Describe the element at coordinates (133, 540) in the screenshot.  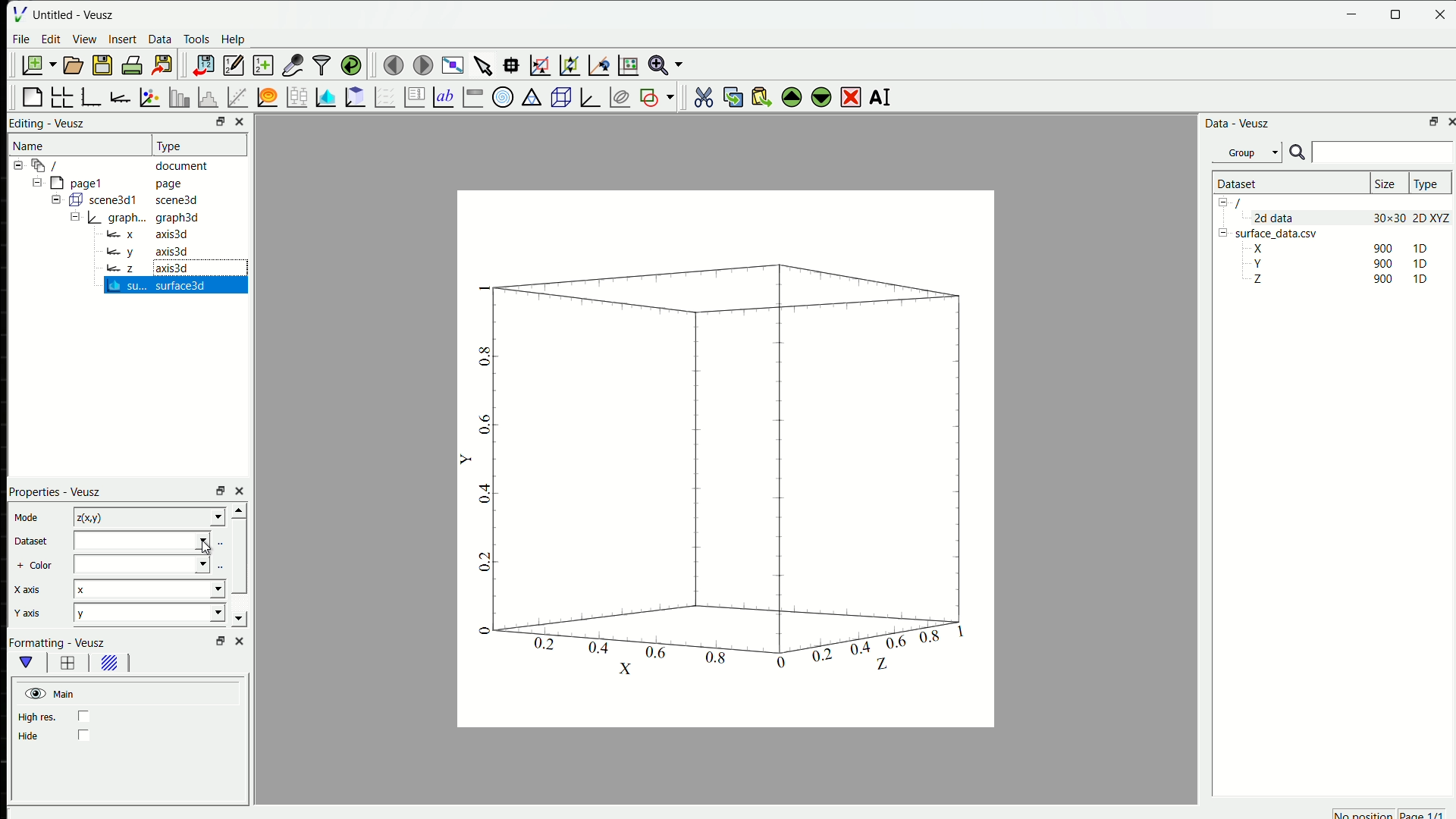
I see `dataset` at that location.